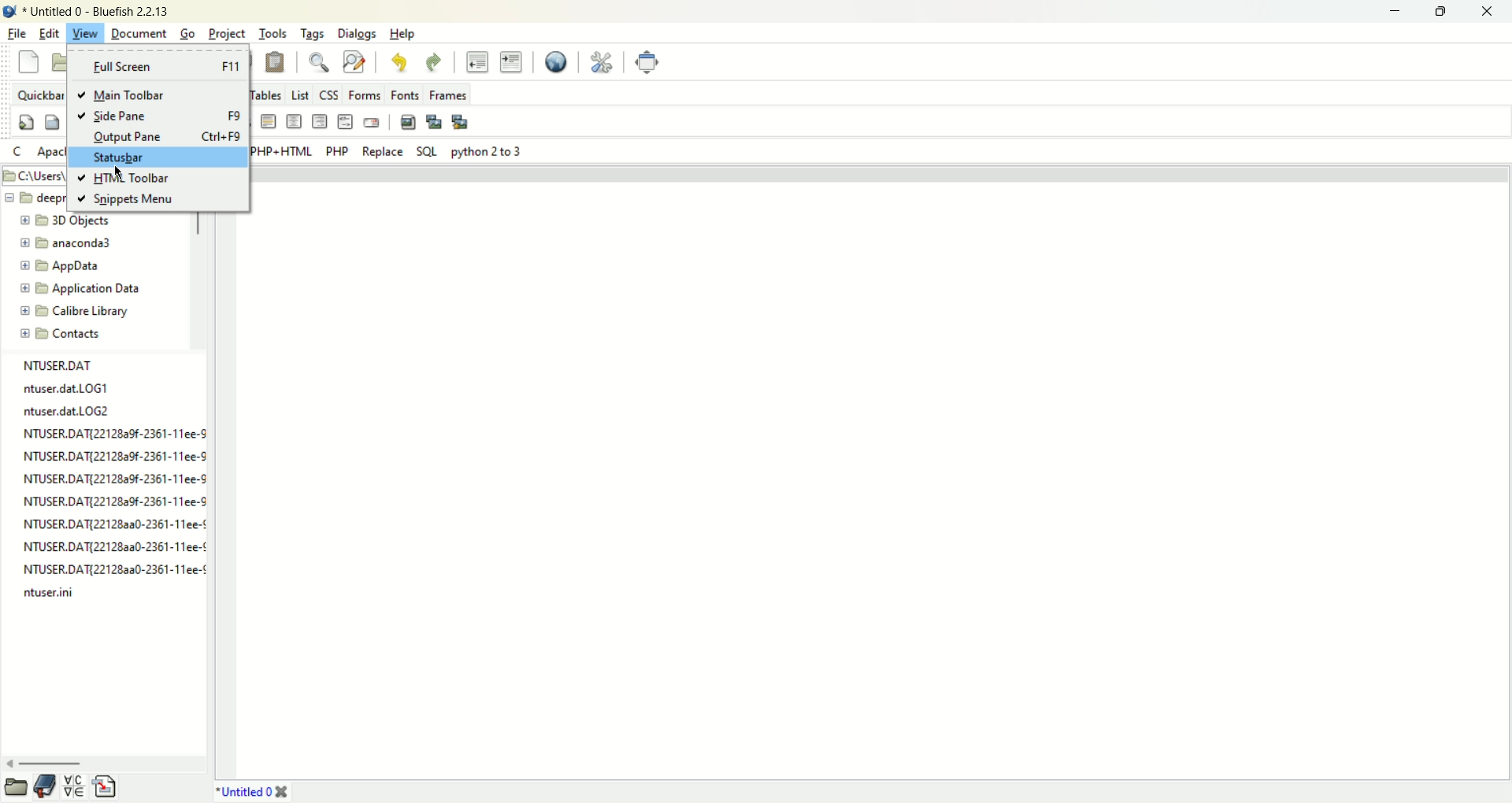  I want to click on new folder, so click(76, 330).